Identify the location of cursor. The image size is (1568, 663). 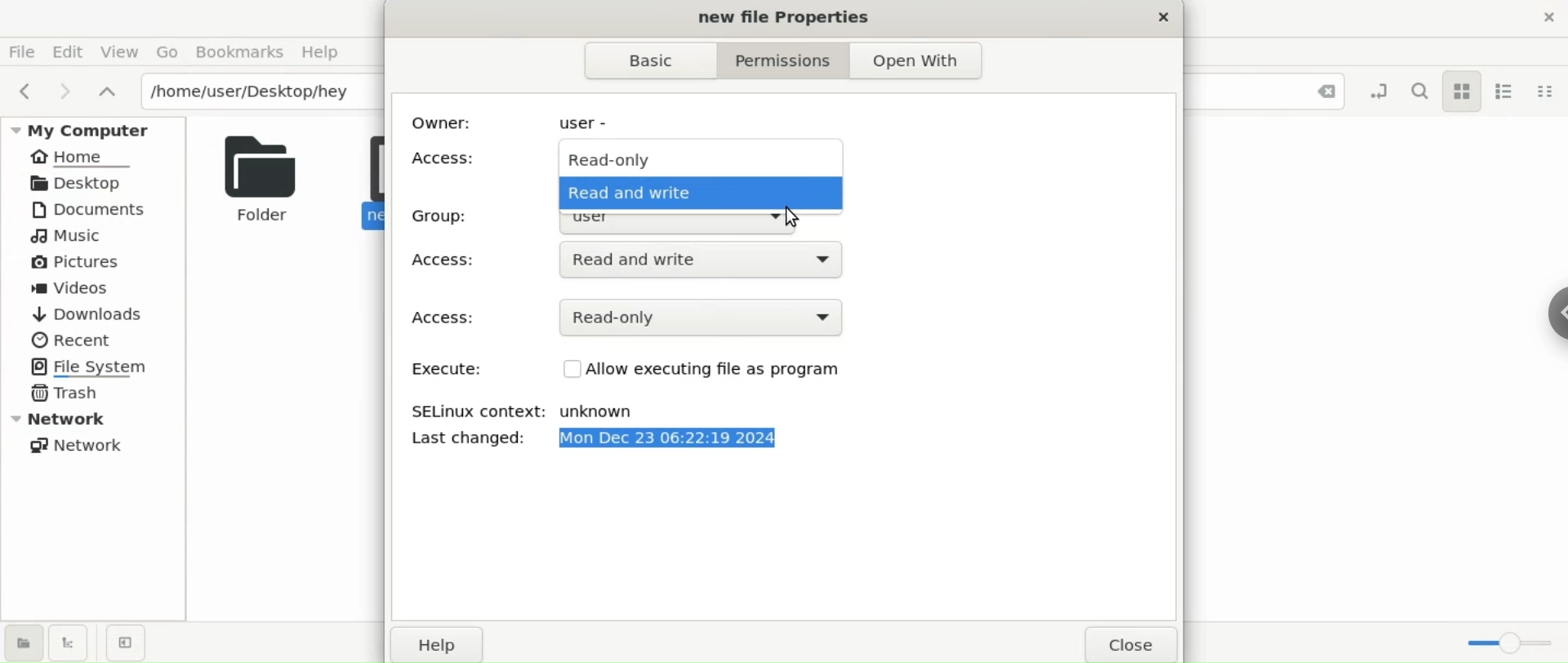
(794, 218).